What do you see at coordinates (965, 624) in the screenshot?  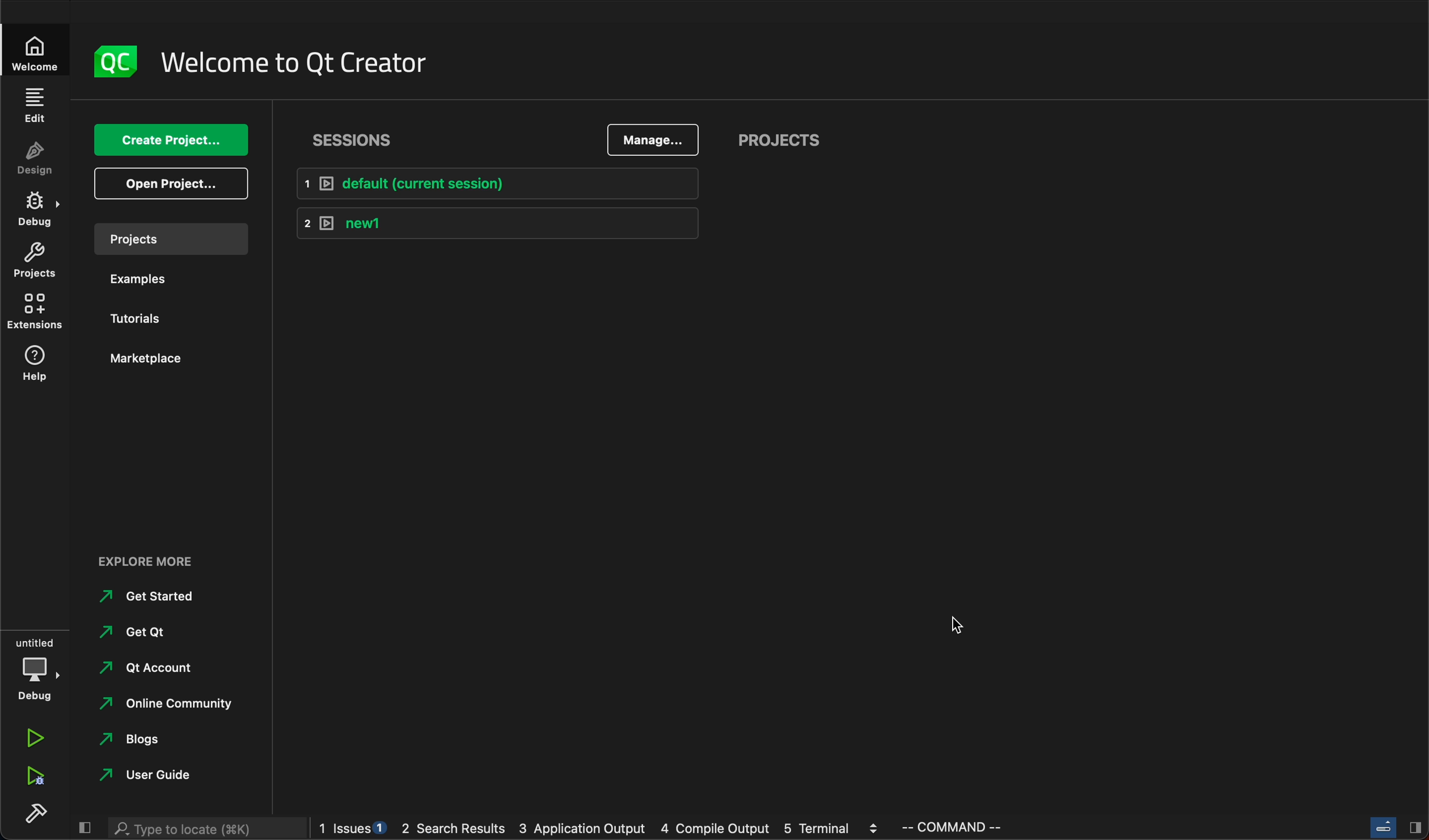 I see `cursor` at bounding box center [965, 624].